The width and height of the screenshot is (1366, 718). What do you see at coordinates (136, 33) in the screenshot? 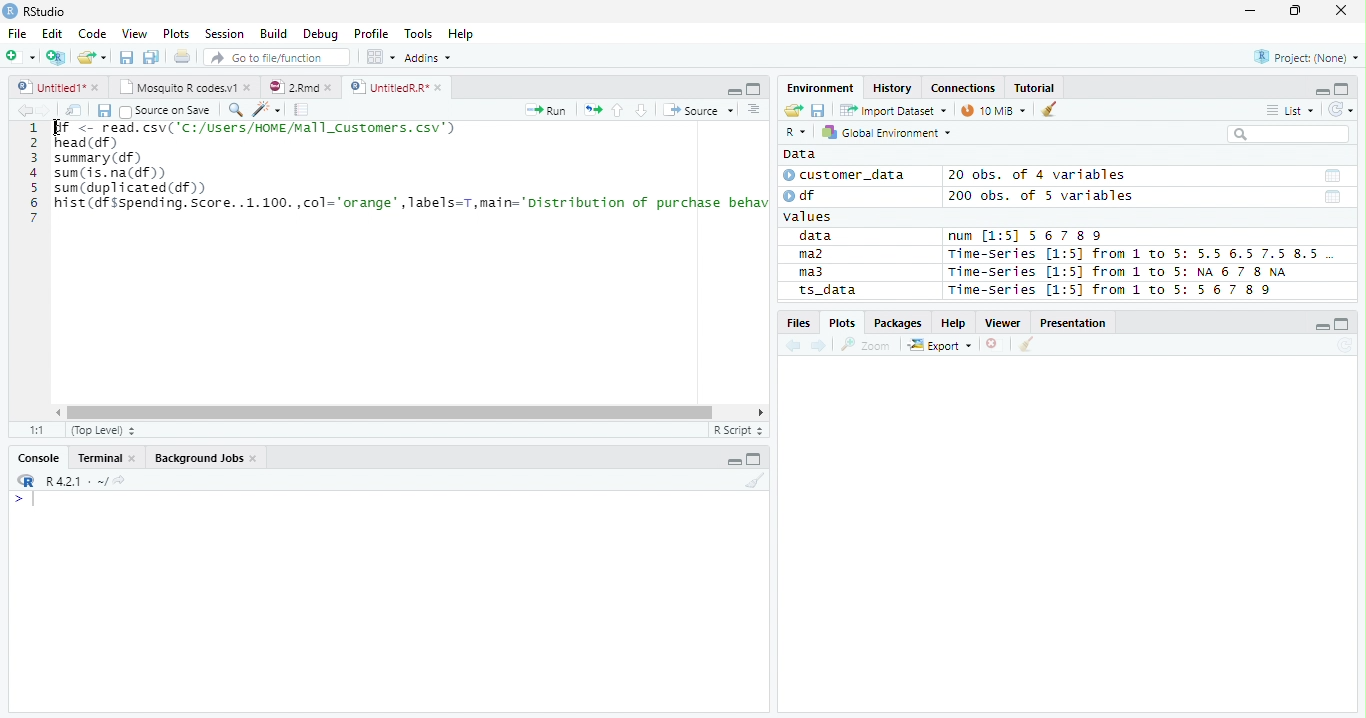
I see `View` at bounding box center [136, 33].